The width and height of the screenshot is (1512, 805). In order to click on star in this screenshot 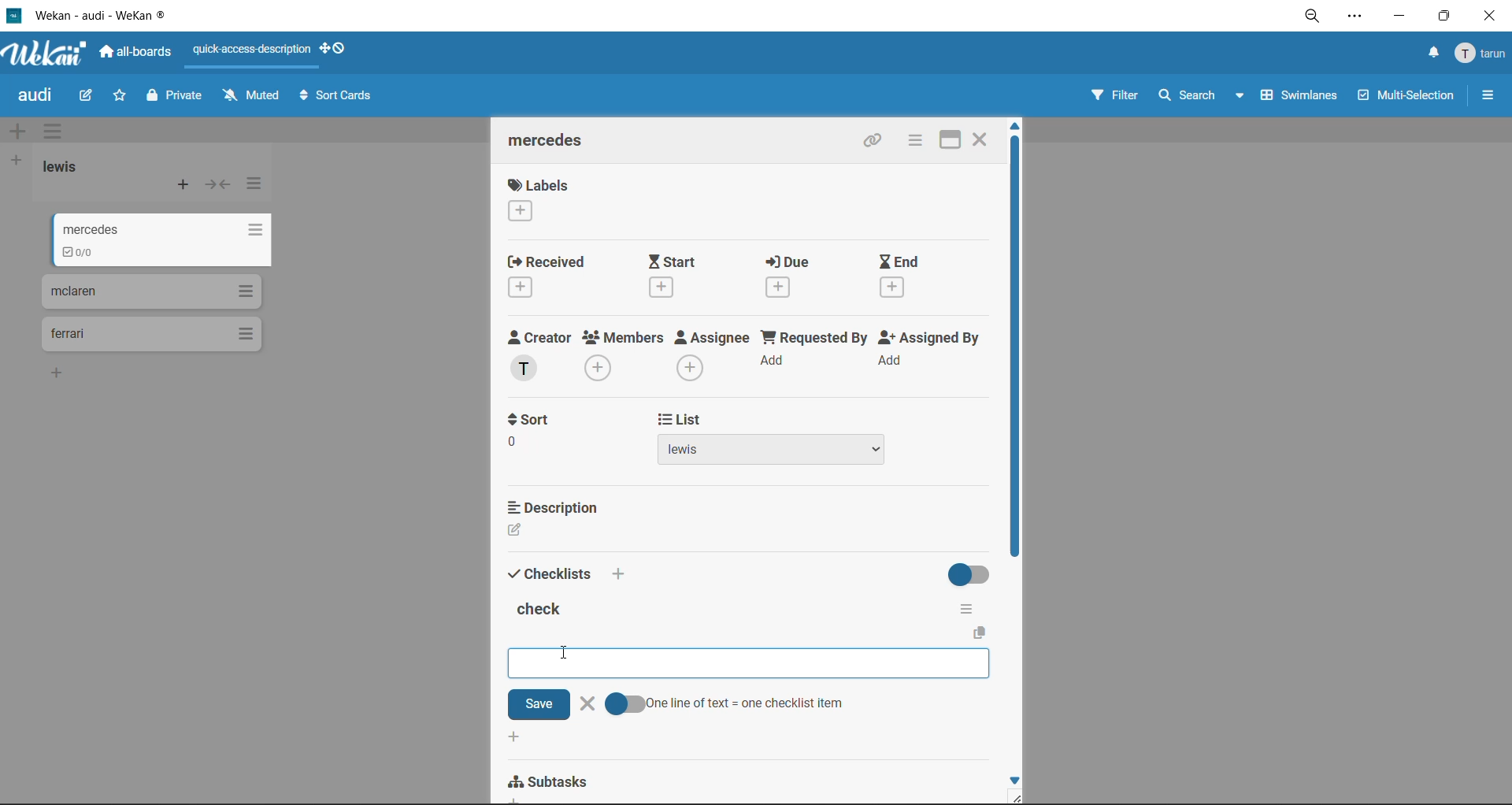, I will do `click(121, 99)`.